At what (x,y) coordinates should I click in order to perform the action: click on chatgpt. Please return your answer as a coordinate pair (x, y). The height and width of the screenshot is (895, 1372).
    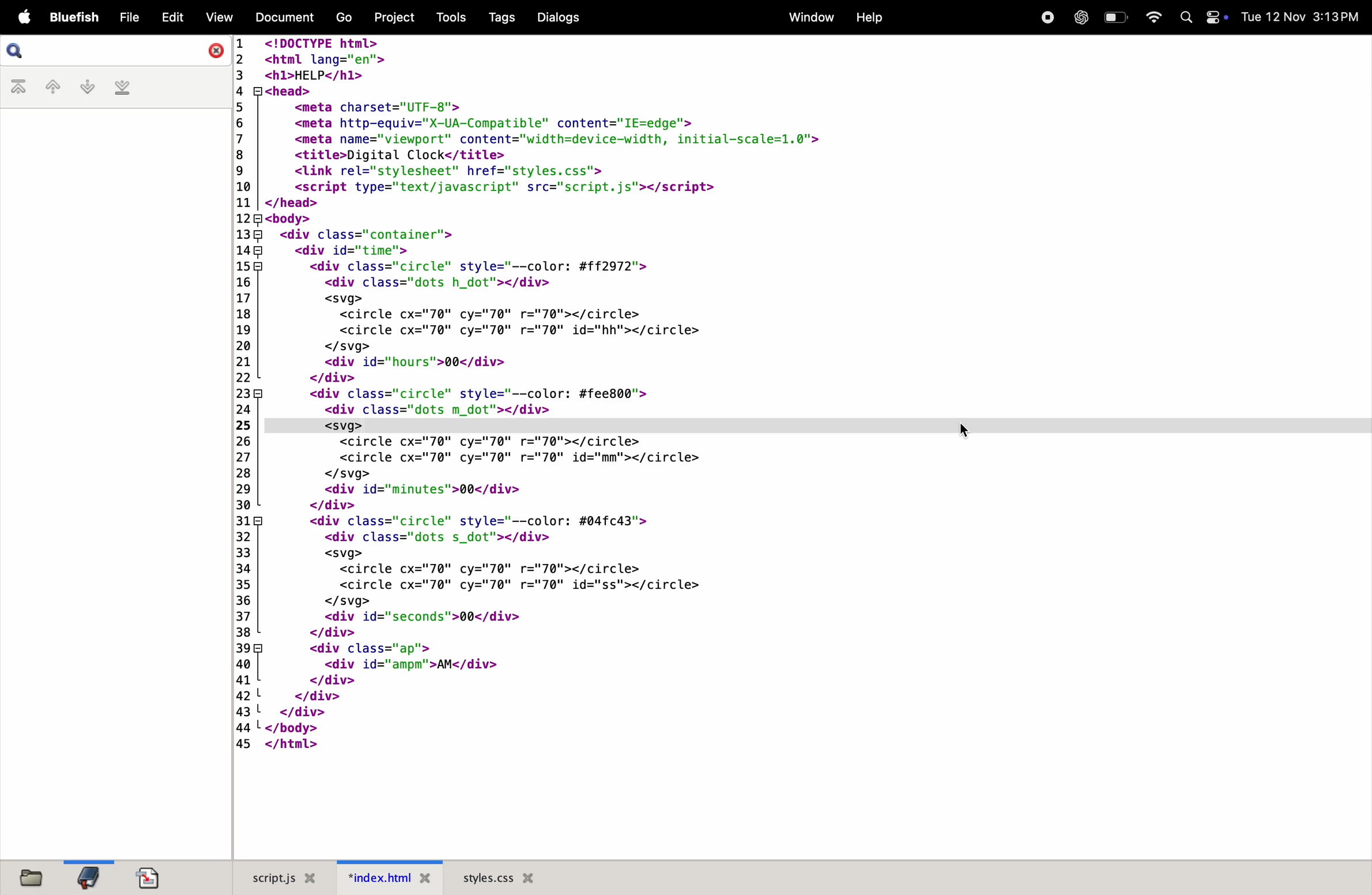
    Looking at the image, I should click on (1080, 17).